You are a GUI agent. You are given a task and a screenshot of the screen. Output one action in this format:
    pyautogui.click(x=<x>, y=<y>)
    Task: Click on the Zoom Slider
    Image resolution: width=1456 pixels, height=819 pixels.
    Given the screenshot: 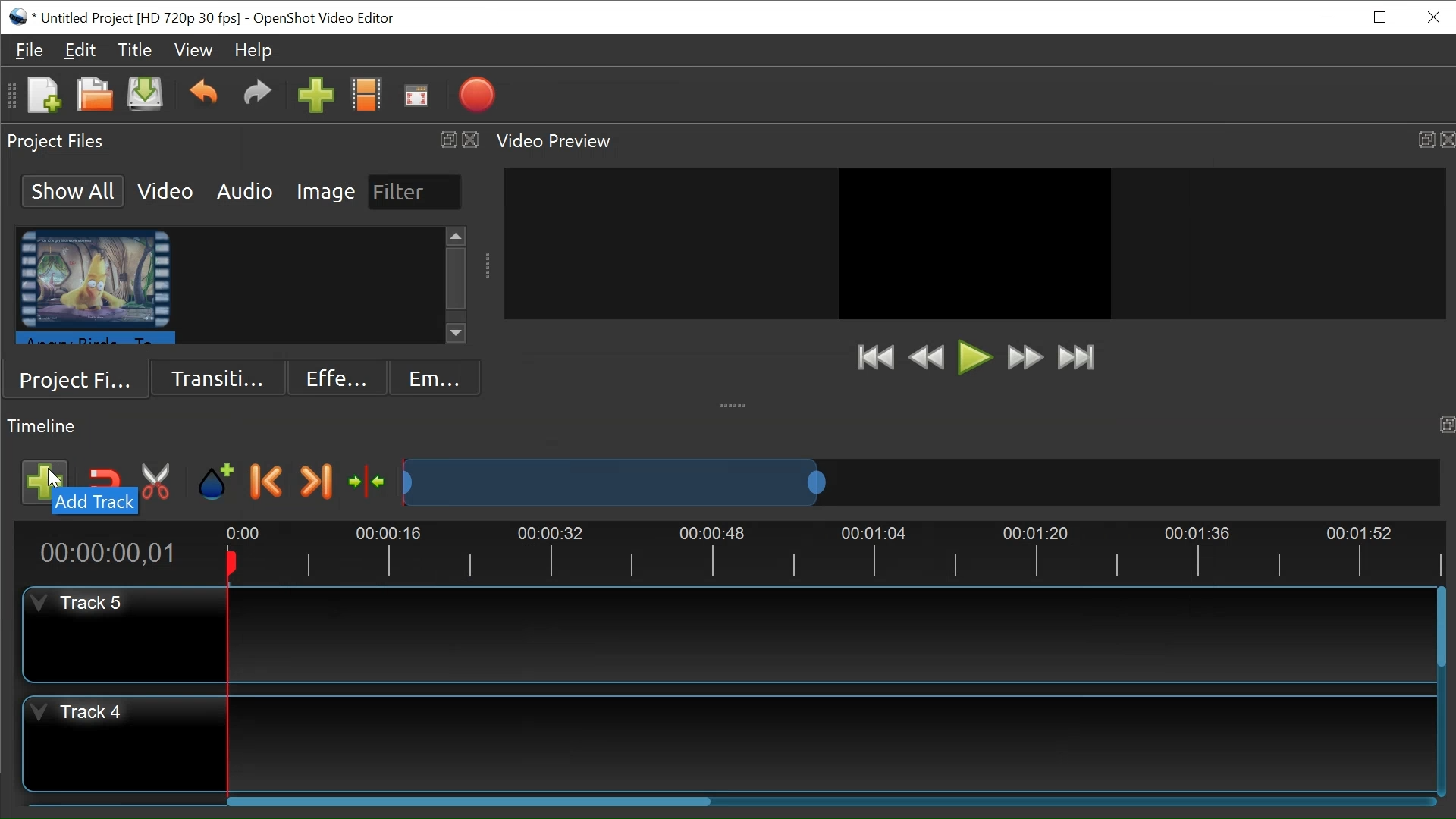 What is the action you would take?
    pyautogui.click(x=921, y=482)
    